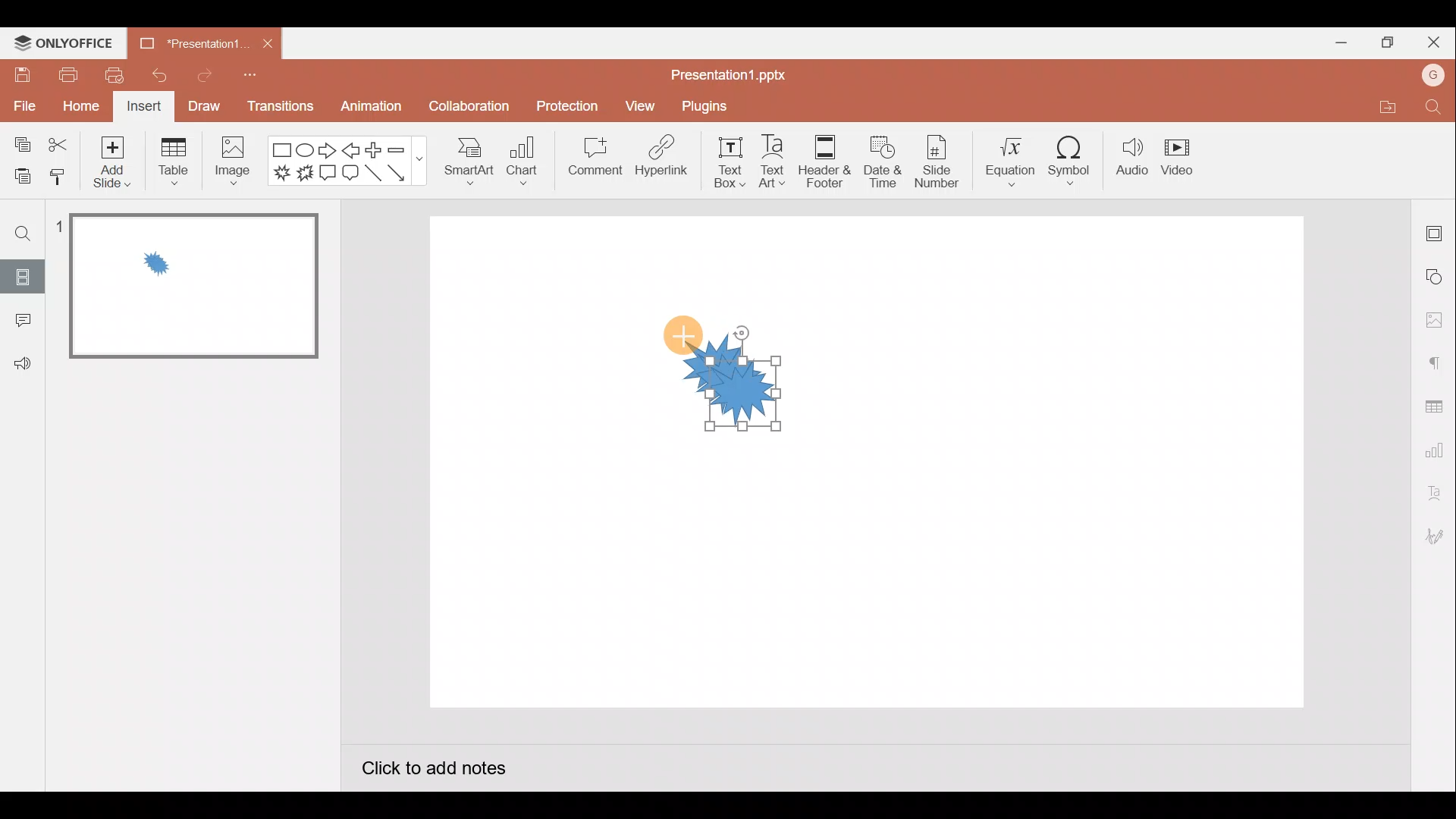 This screenshot has width=1456, height=819. I want to click on Comment, so click(22, 321).